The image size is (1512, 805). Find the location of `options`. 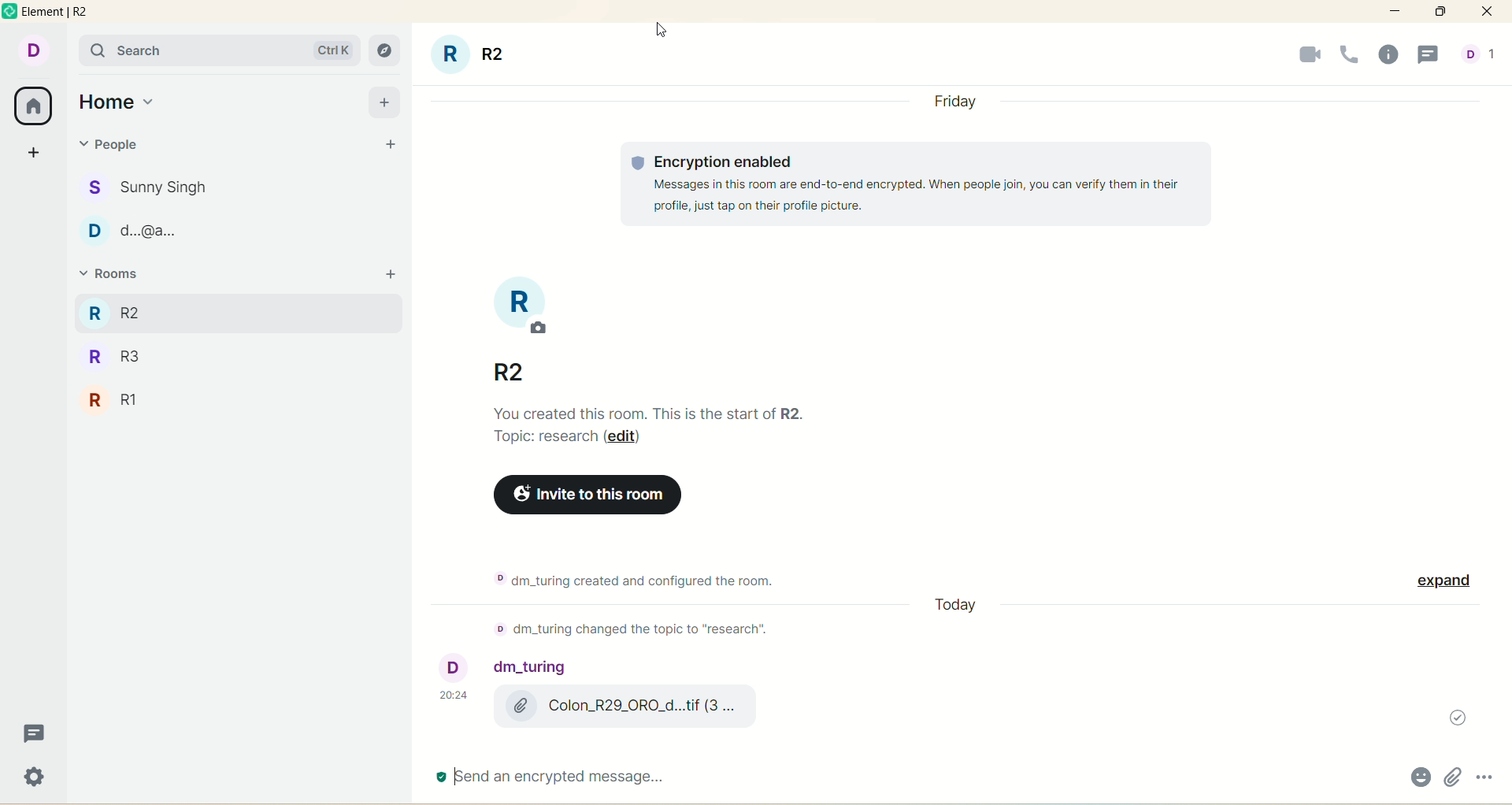

options is located at coordinates (1487, 773).